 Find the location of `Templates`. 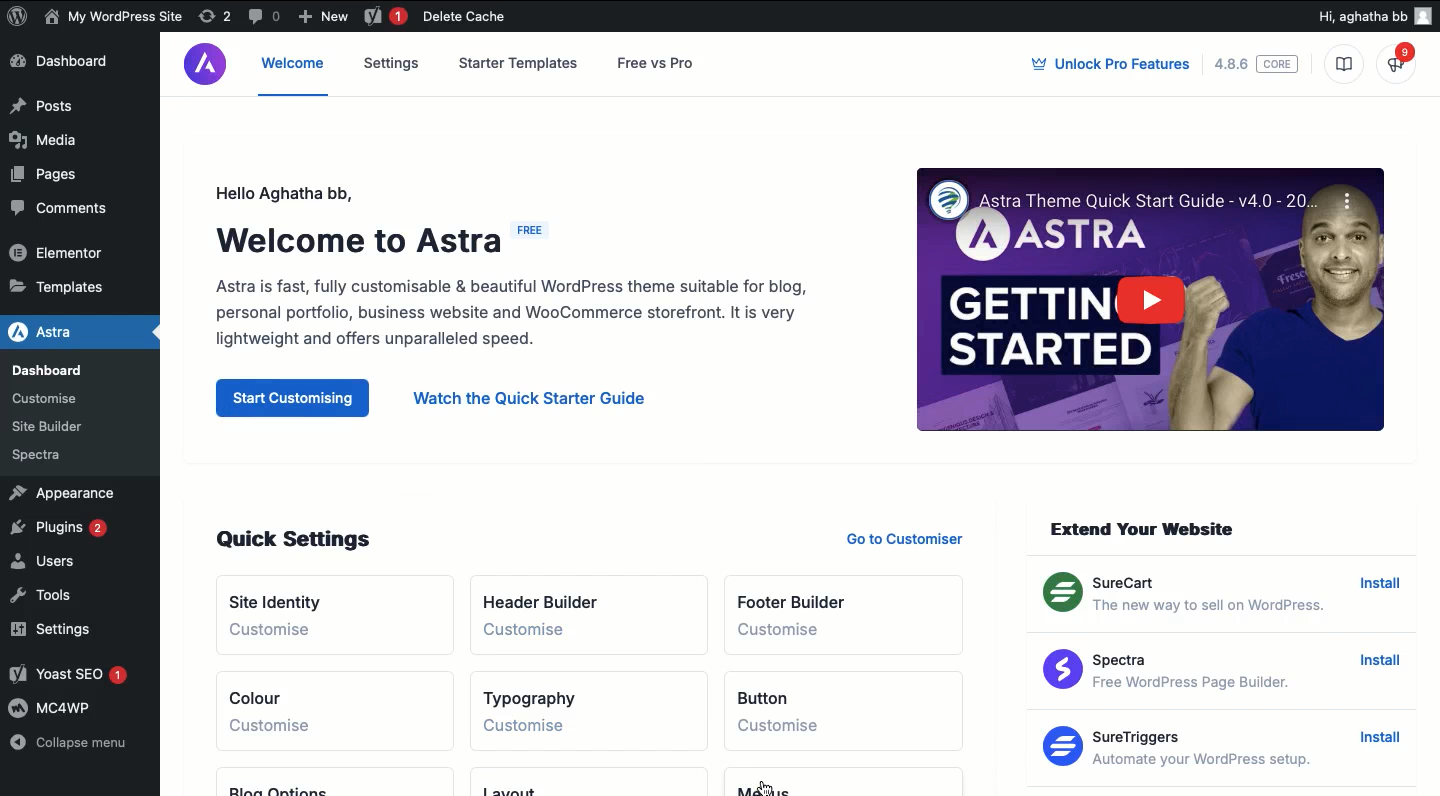

Templates is located at coordinates (70, 284).